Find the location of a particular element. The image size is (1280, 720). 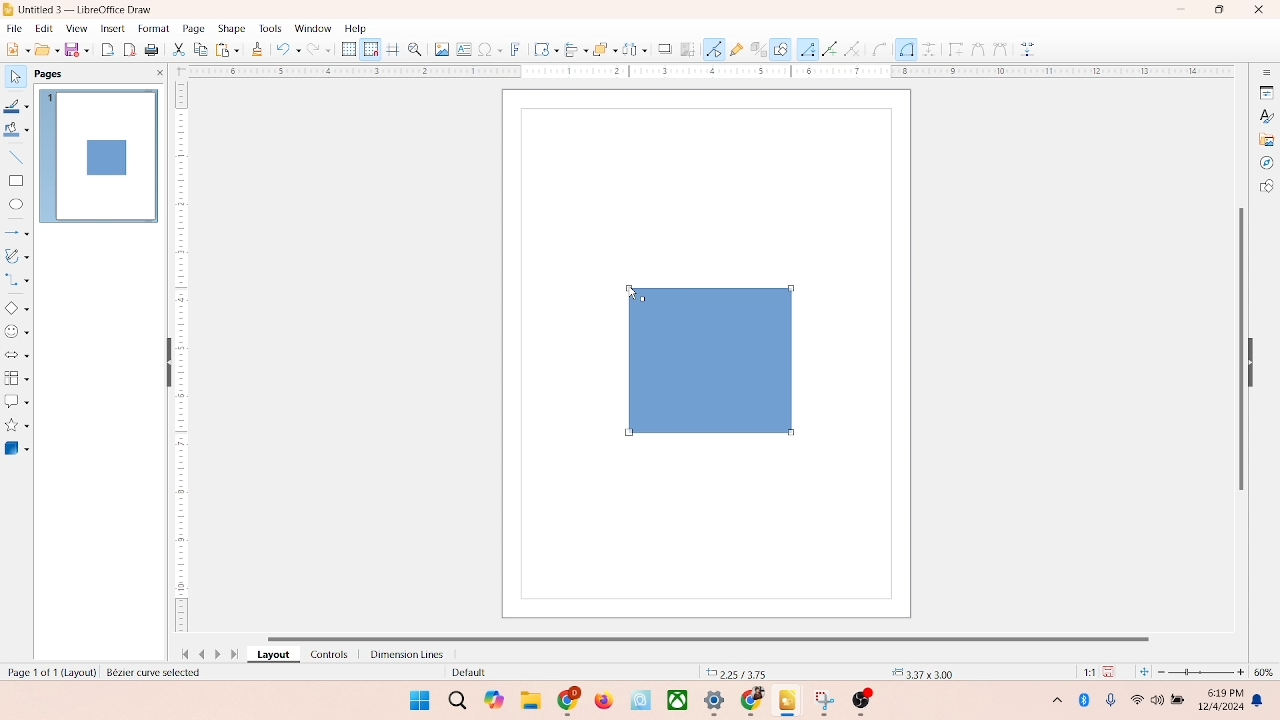

close is located at coordinates (156, 73).